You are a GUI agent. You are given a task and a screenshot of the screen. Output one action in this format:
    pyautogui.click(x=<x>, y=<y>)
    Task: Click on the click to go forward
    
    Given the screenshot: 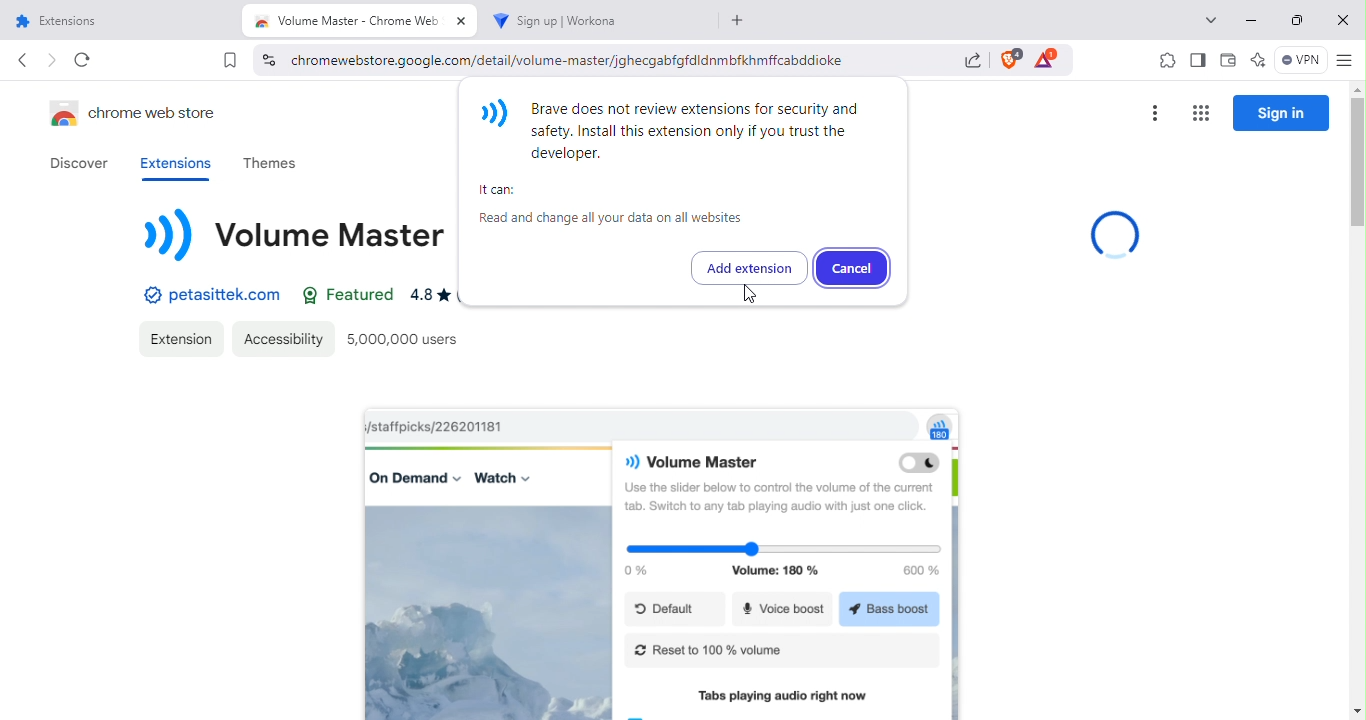 What is the action you would take?
    pyautogui.click(x=52, y=60)
    